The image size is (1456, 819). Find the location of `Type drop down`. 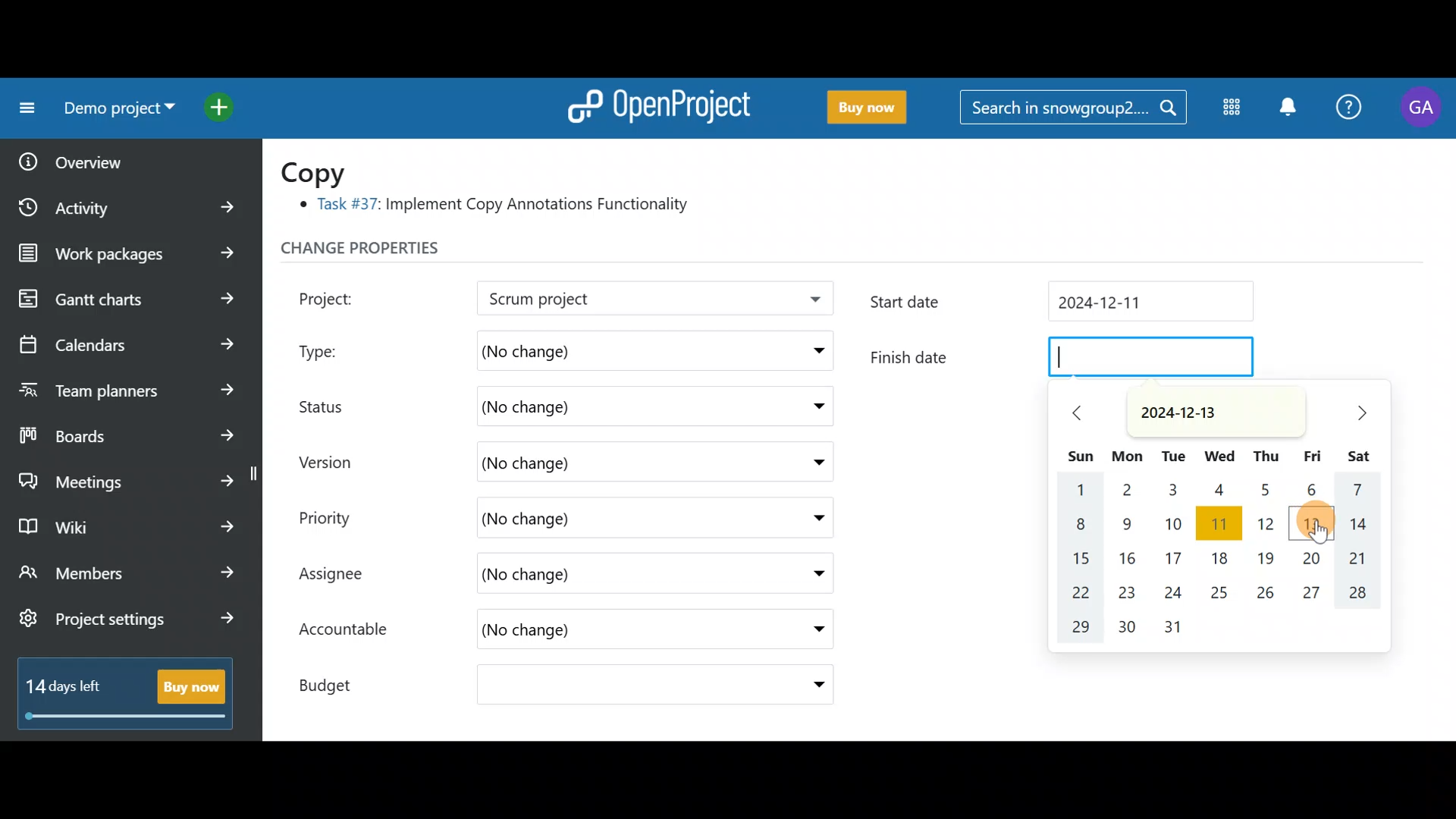

Type drop down is located at coordinates (814, 354).